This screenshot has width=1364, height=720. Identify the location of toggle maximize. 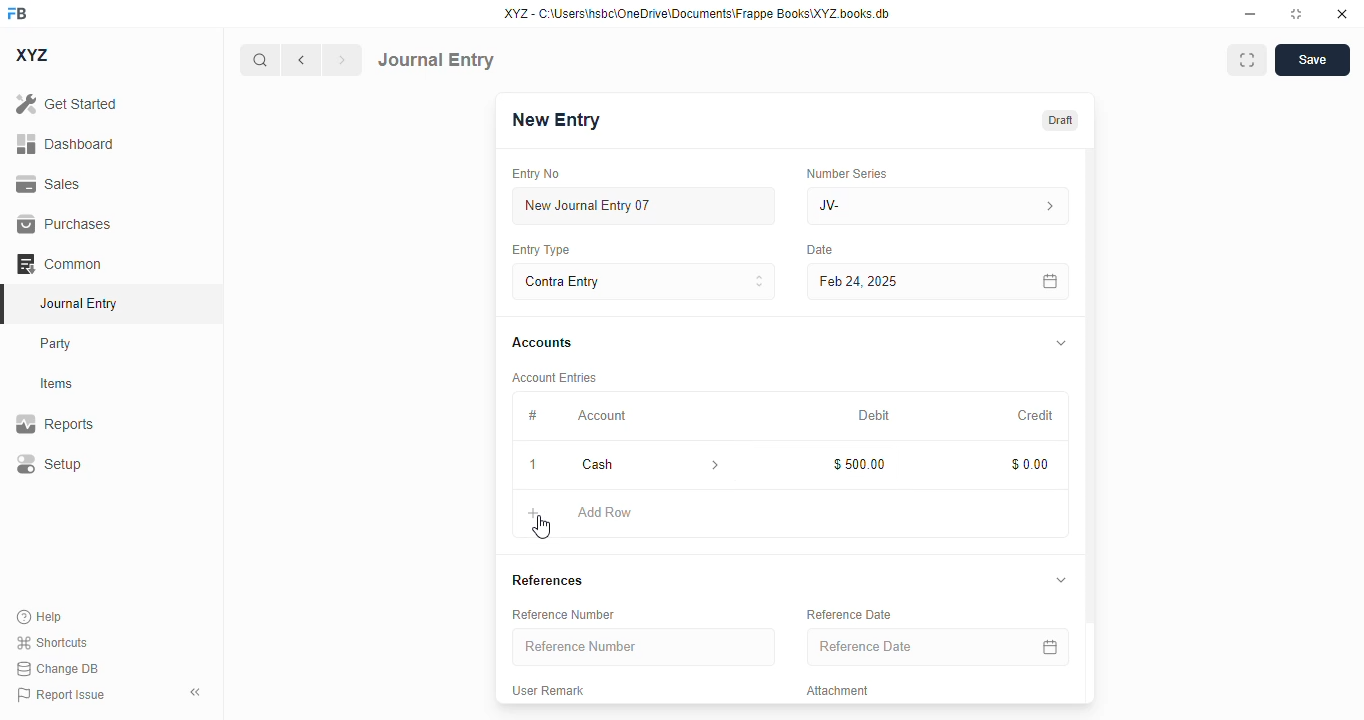
(1296, 14).